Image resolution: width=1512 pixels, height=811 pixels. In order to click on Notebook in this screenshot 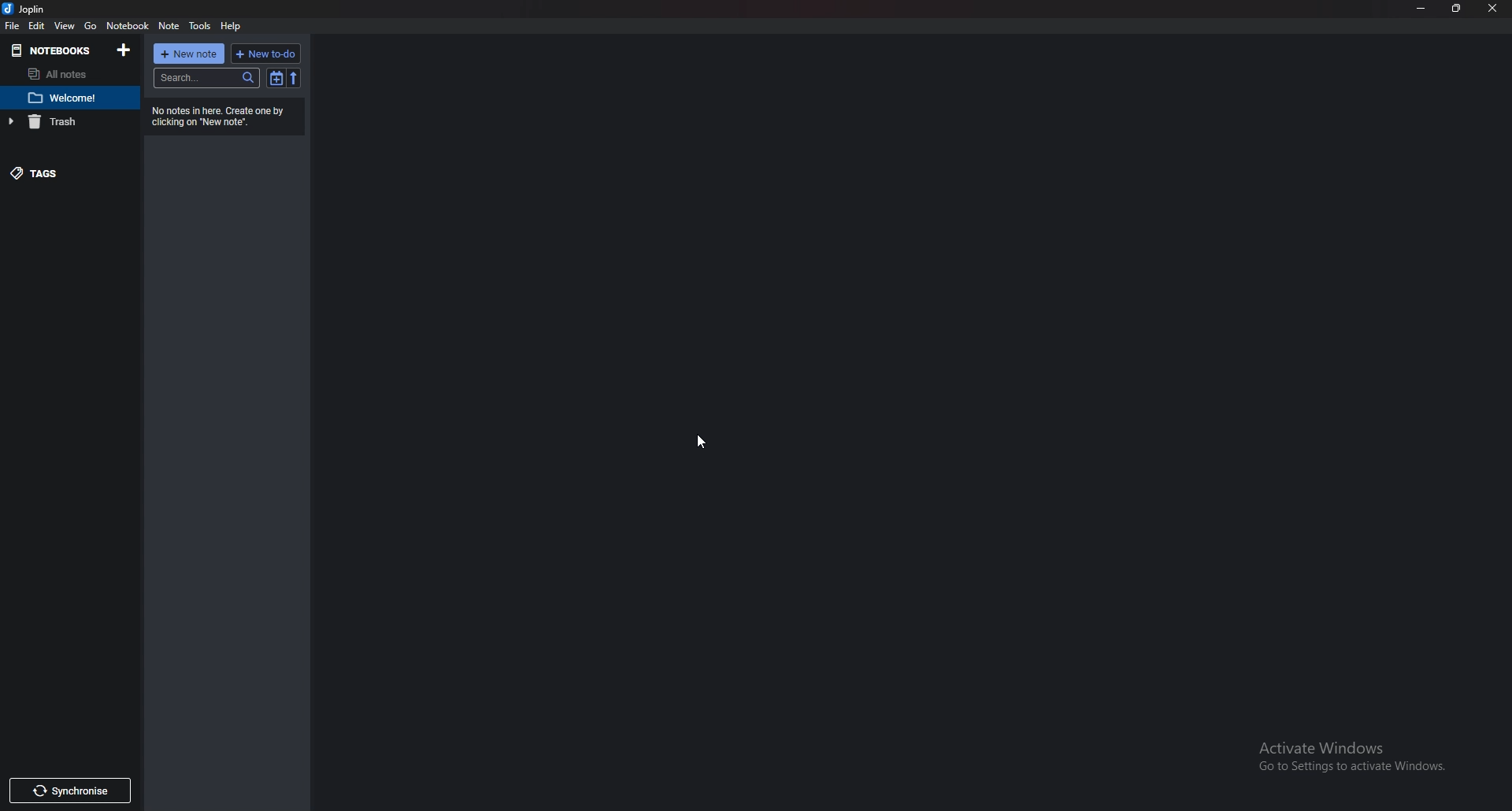, I will do `click(127, 25)`.